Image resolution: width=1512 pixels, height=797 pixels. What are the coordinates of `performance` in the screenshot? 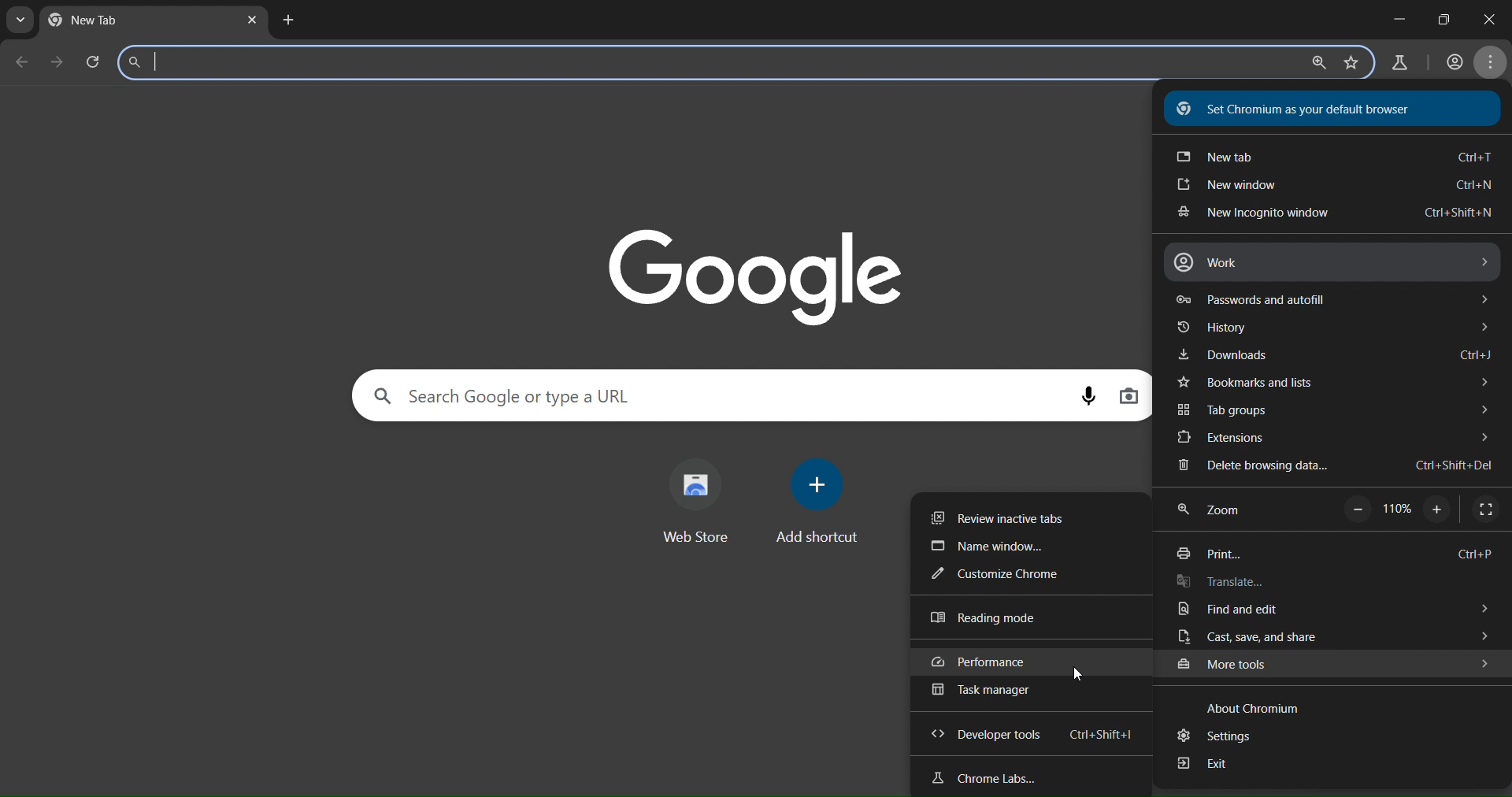 It's located at (1005, 663).